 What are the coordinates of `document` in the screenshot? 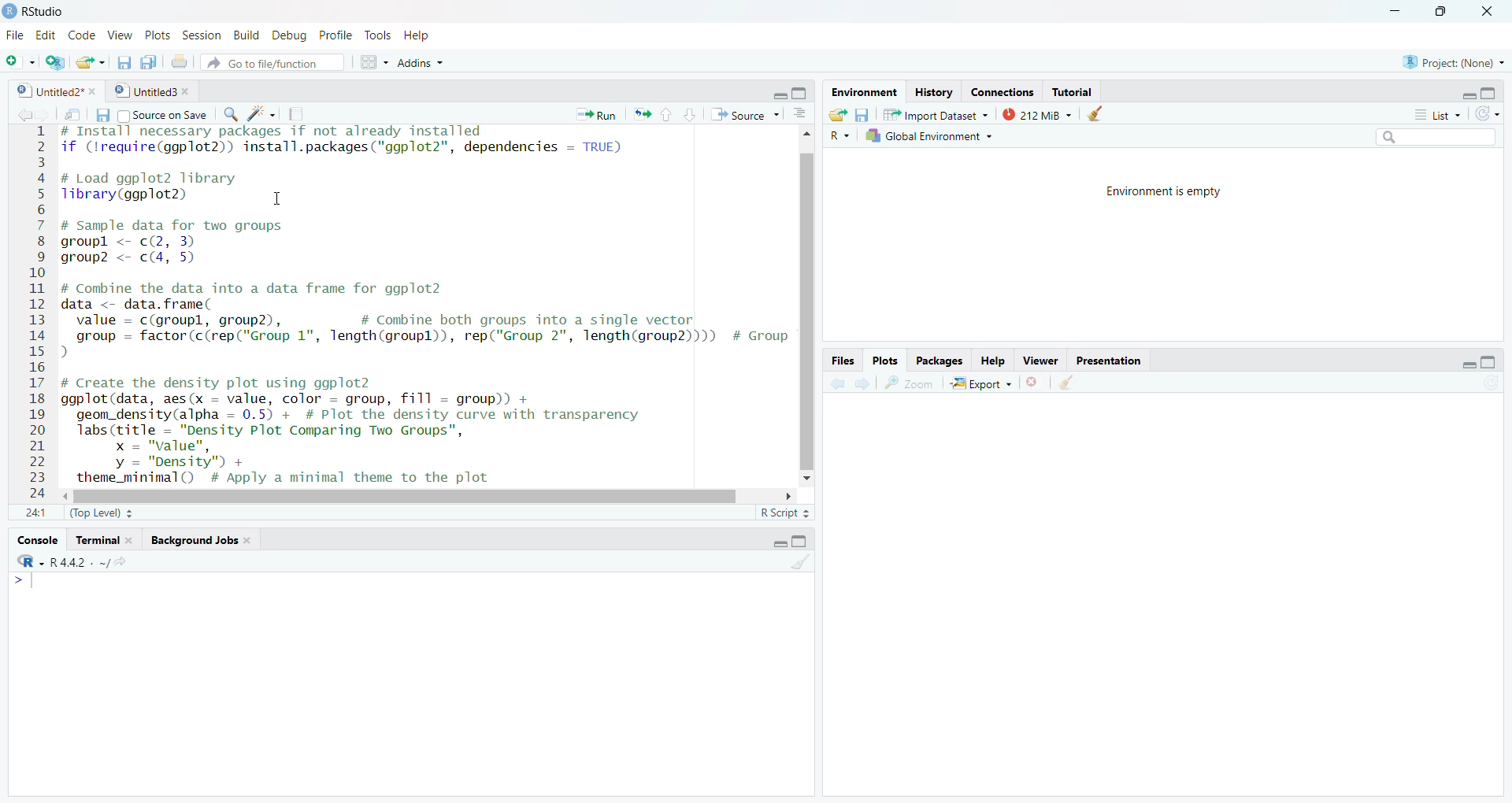 It's located at (298, 114).